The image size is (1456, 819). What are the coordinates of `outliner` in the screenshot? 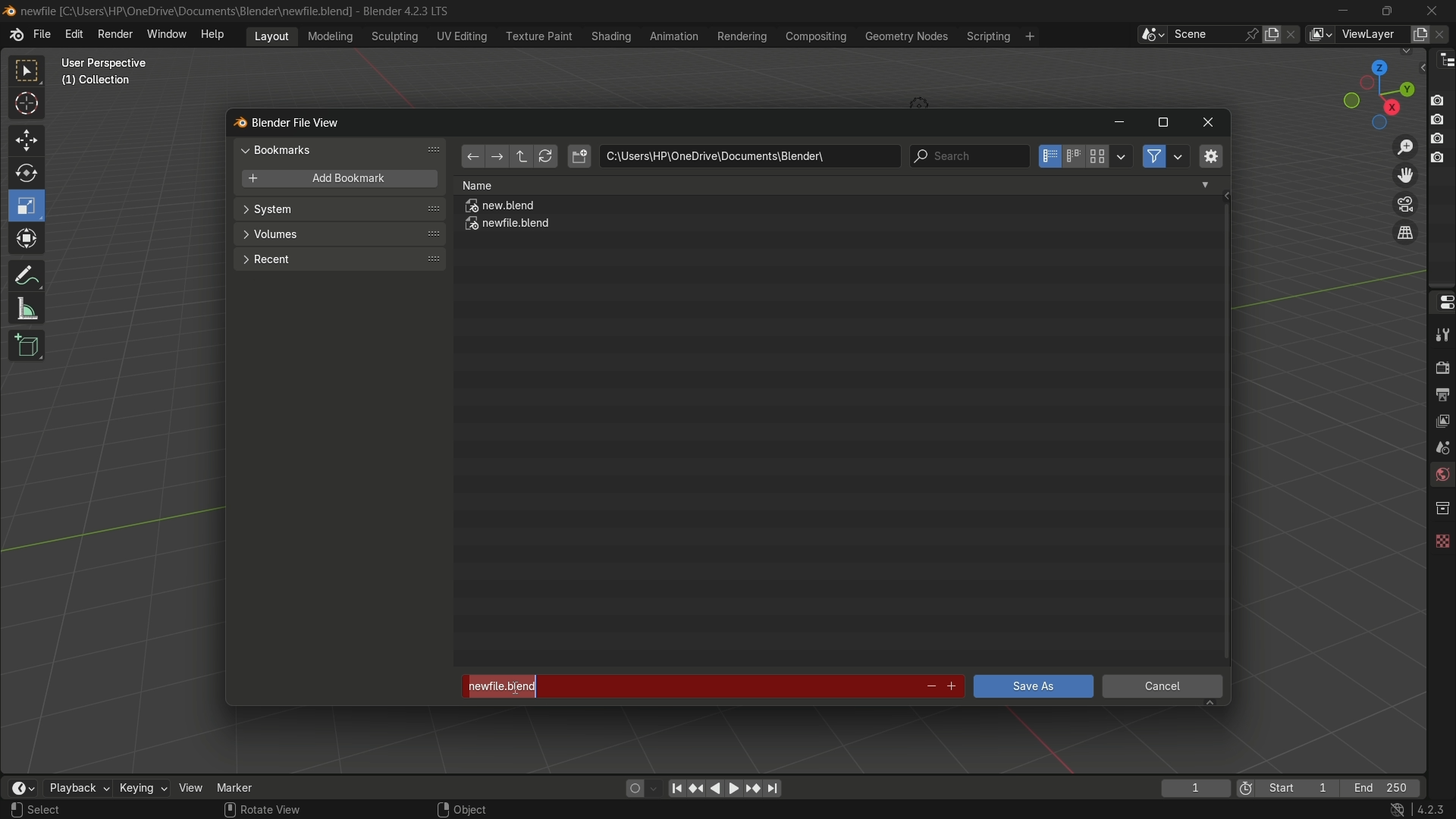 It's located at (1442, 59).